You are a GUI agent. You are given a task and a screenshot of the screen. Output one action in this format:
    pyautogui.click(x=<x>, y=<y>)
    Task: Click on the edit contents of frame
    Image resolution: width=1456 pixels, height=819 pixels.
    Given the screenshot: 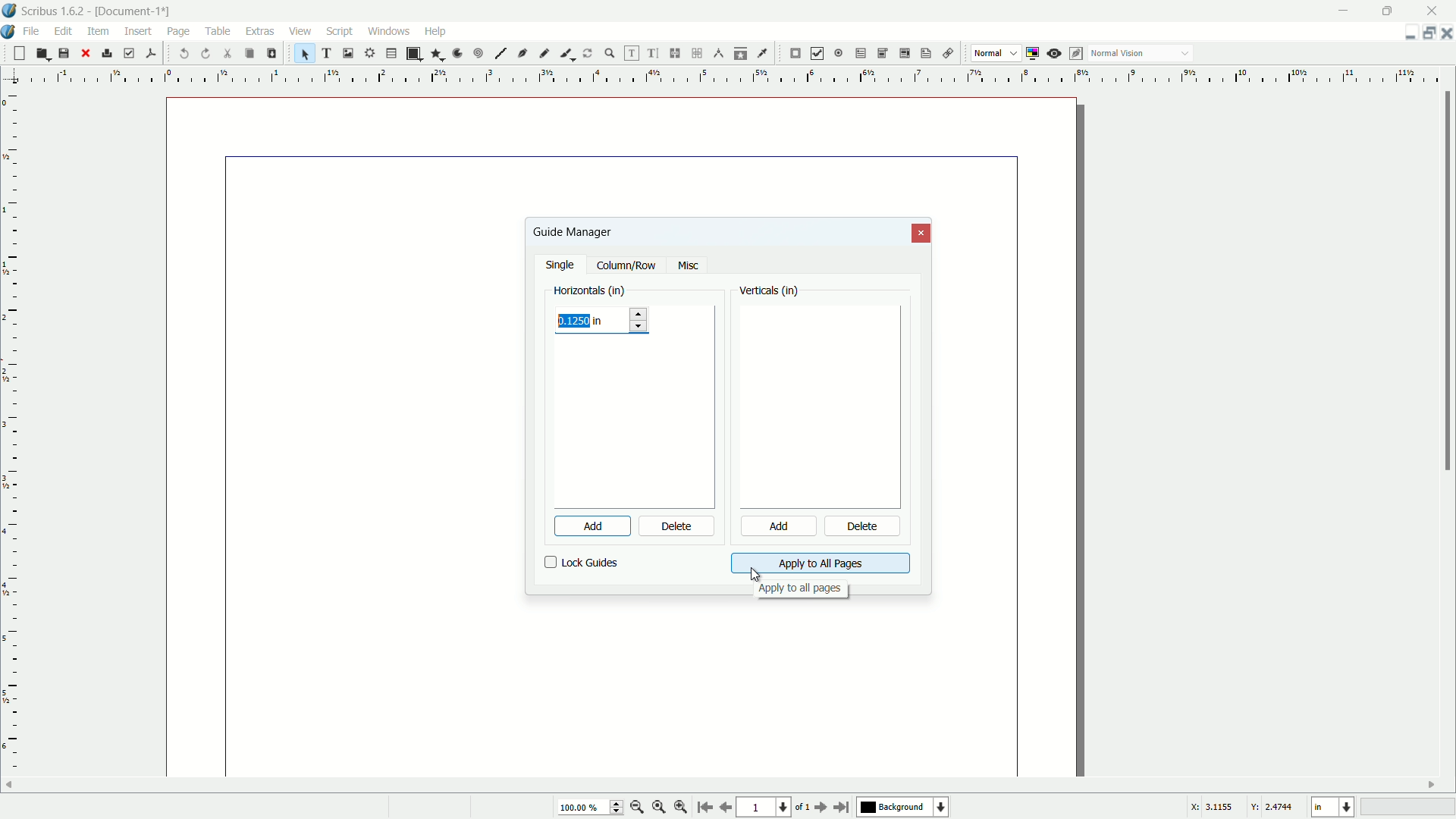 What is the action you would take?
    pyautogui.click(x=629, y=53)
    